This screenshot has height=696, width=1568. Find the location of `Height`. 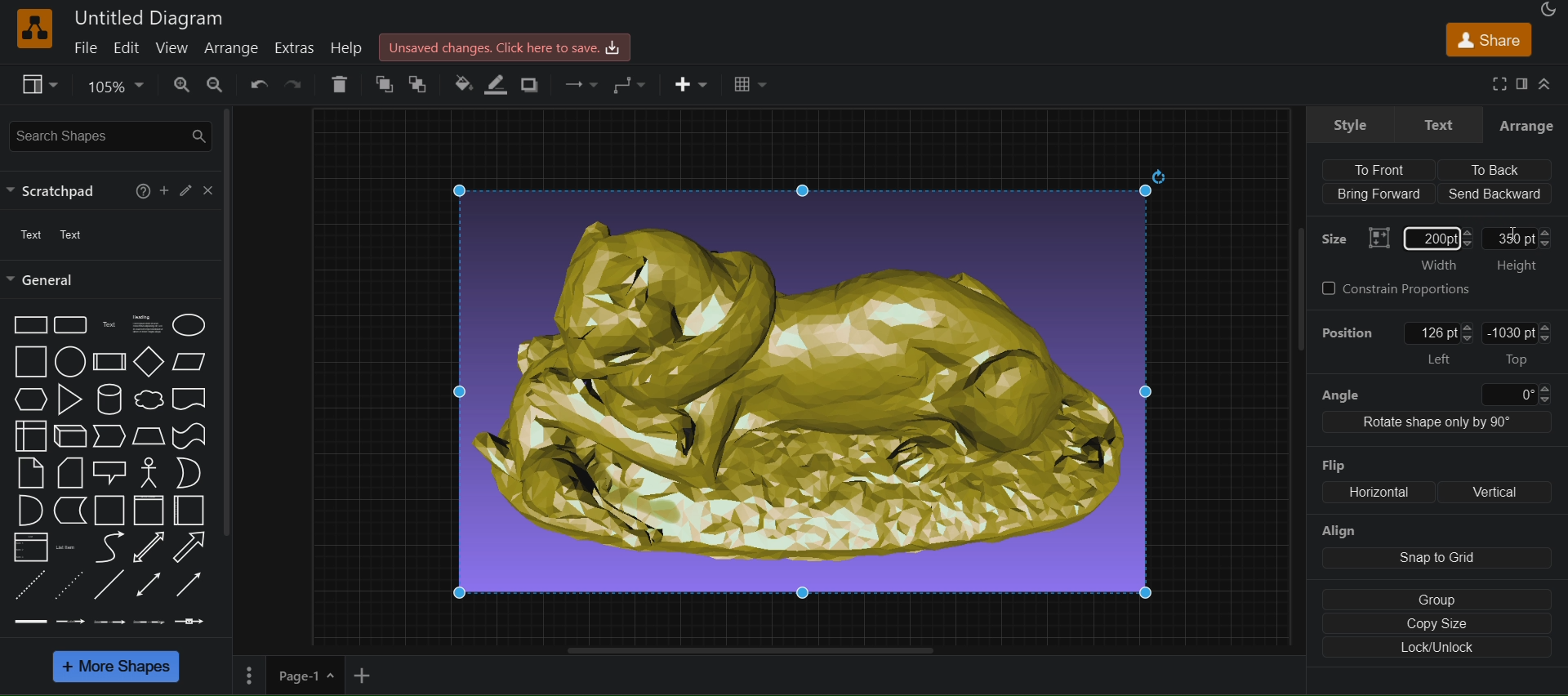

Height is located at coordinates (1520, 267).